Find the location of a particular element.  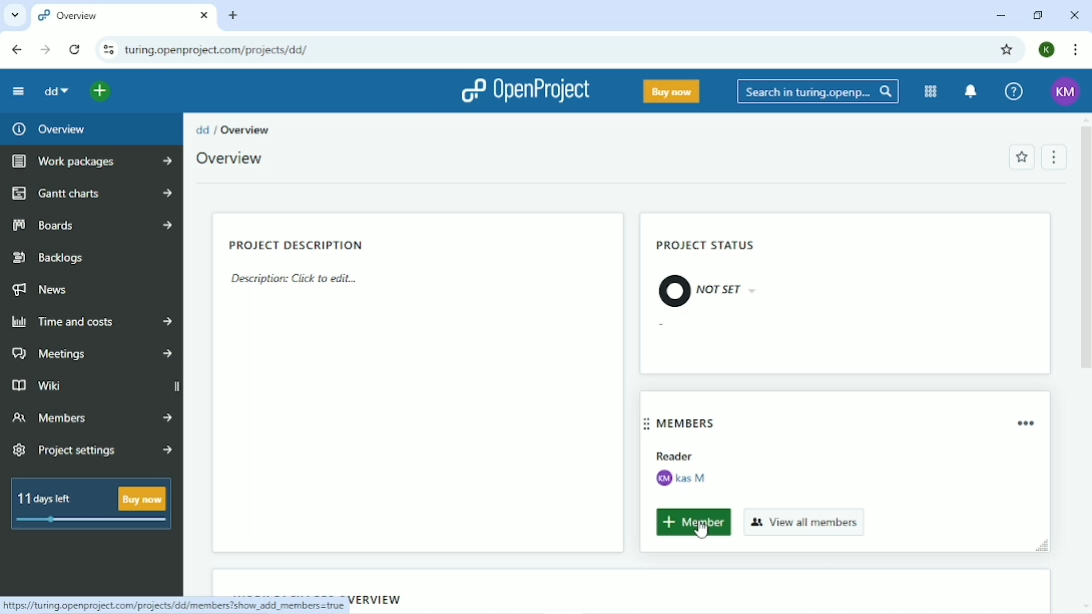

Restore down is located at coordinates (1037, 14).